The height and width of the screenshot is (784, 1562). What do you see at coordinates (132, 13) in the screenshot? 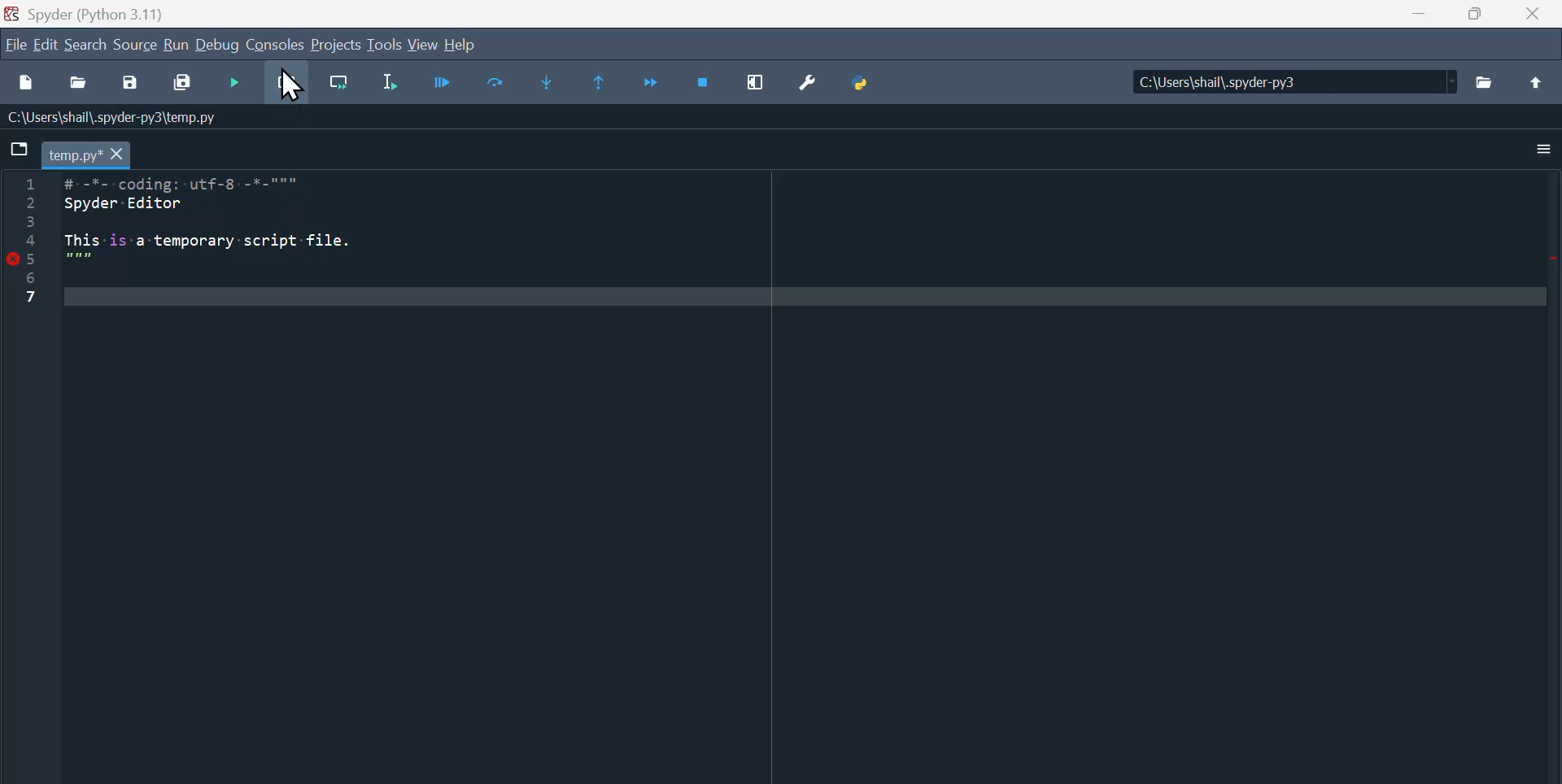
I see `Spyder (Python 3.11)` at bounding box center [132, 13].